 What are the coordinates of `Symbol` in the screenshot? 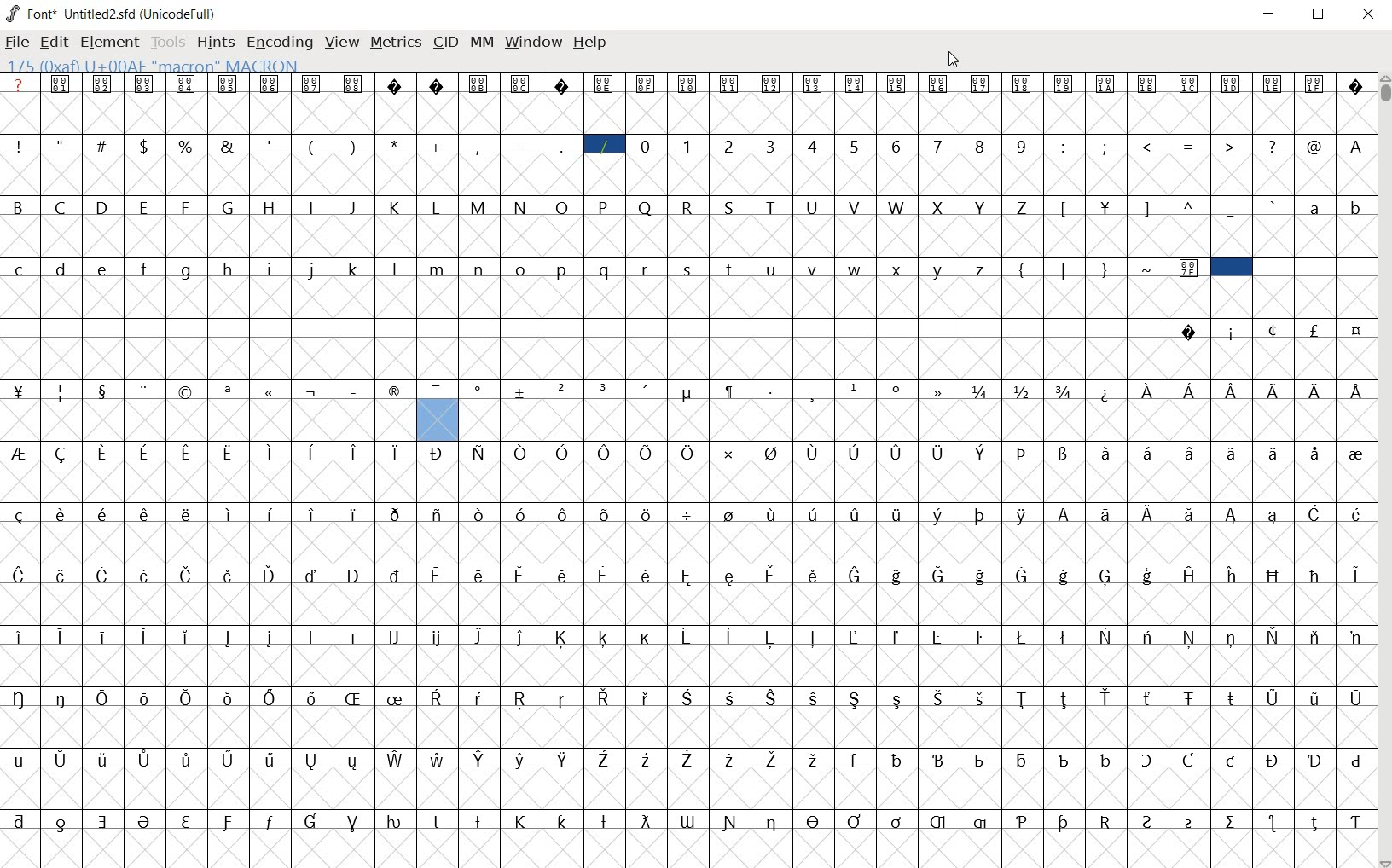 It's located at (1230, 574).